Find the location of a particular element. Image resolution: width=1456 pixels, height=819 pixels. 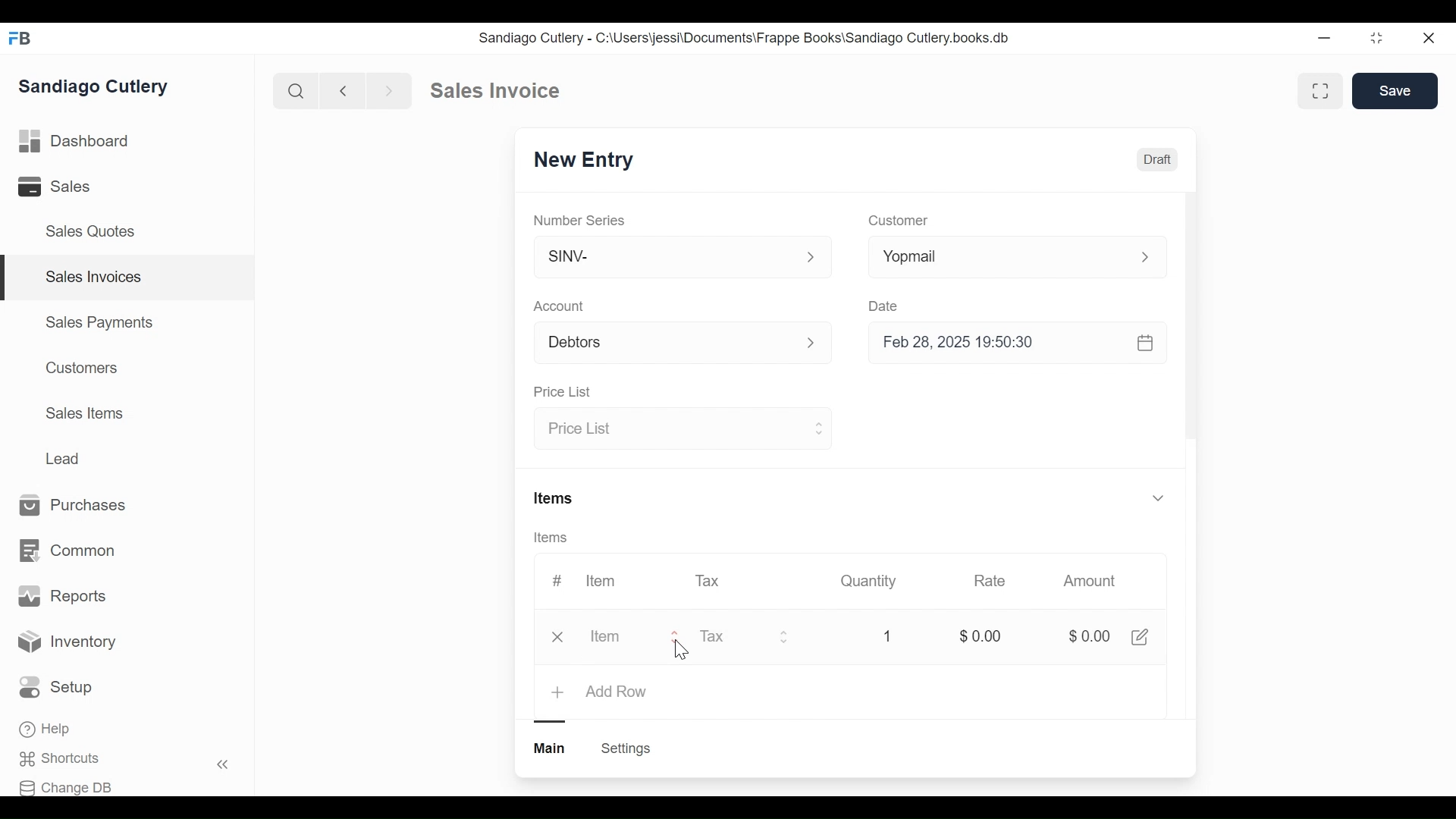

Change DB is located at coordinates (66, 788).